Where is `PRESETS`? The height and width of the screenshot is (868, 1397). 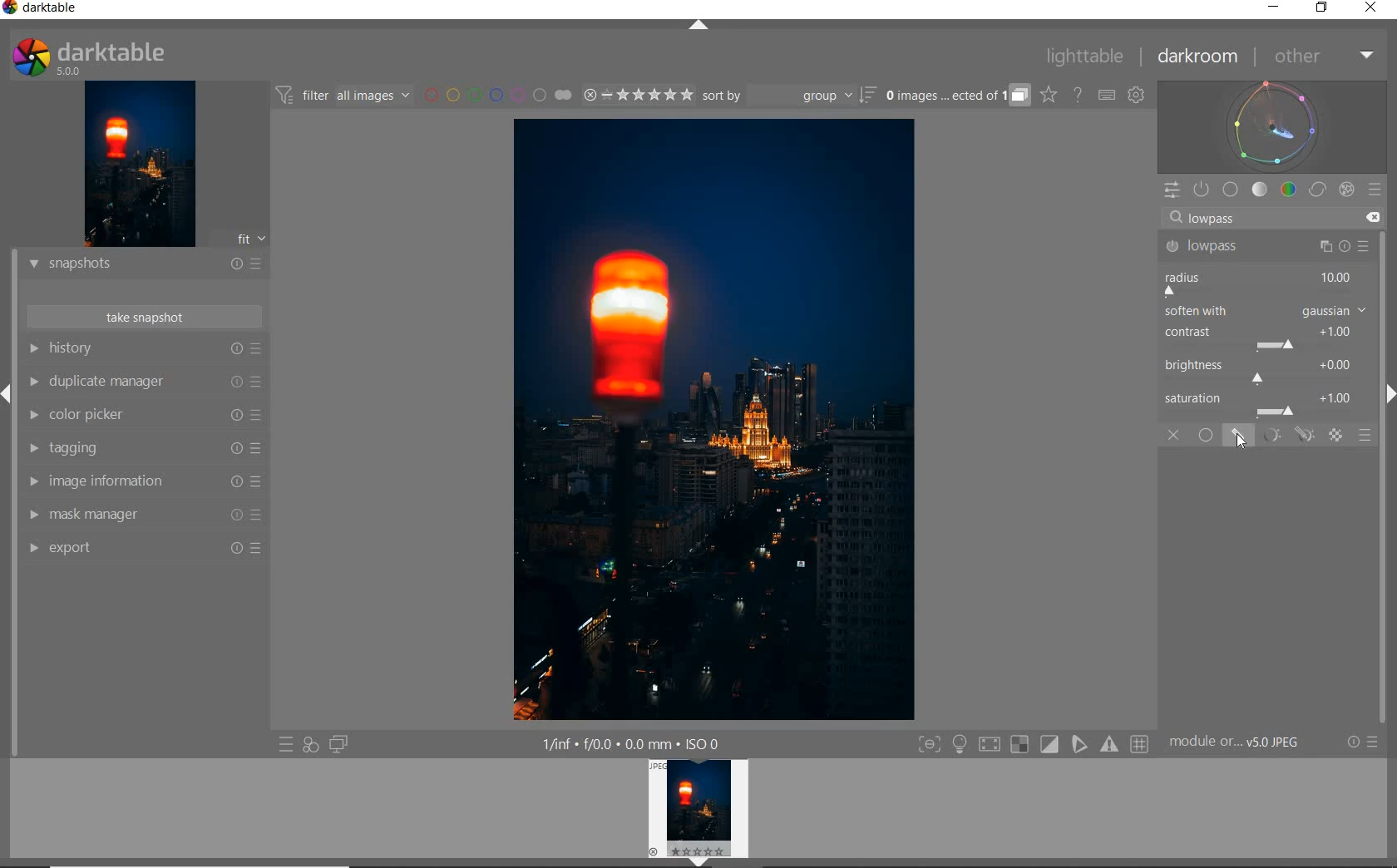 PRESETS is located at coordinates (1376, 191).